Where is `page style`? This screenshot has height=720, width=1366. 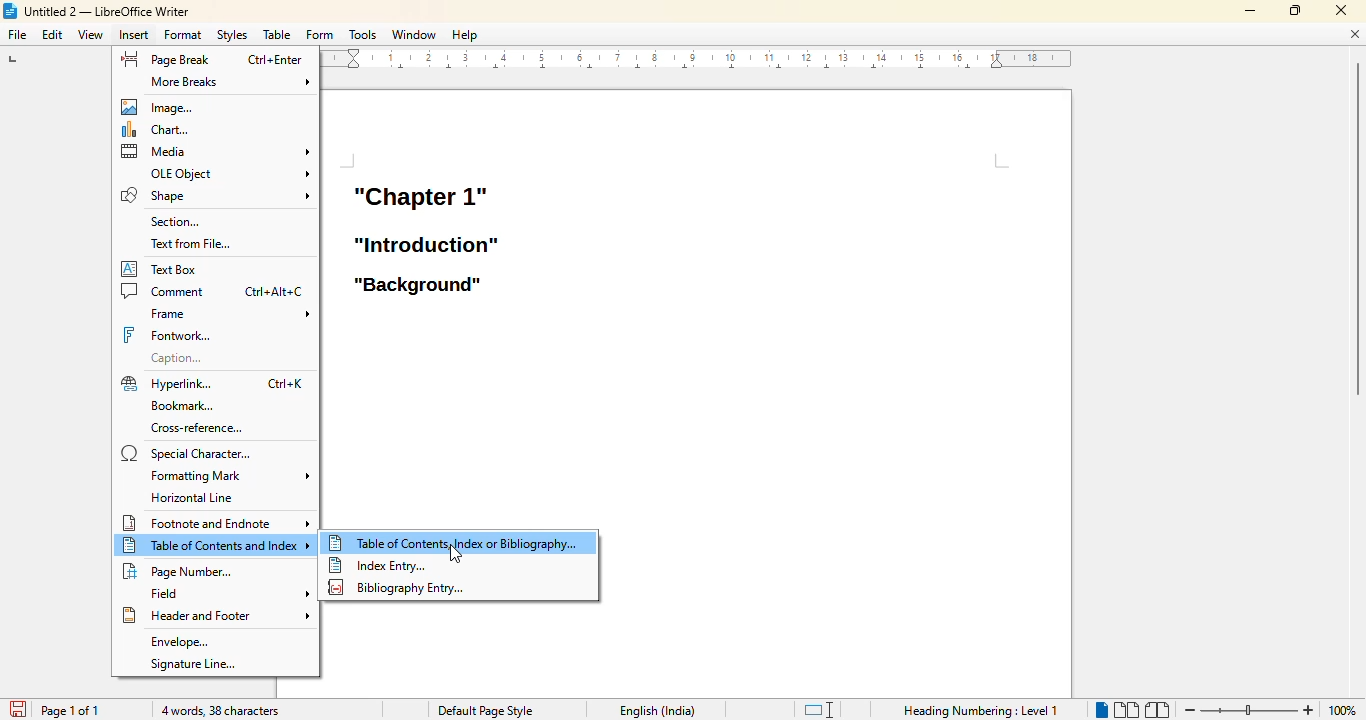 page style is located at coordinates (484, 711).